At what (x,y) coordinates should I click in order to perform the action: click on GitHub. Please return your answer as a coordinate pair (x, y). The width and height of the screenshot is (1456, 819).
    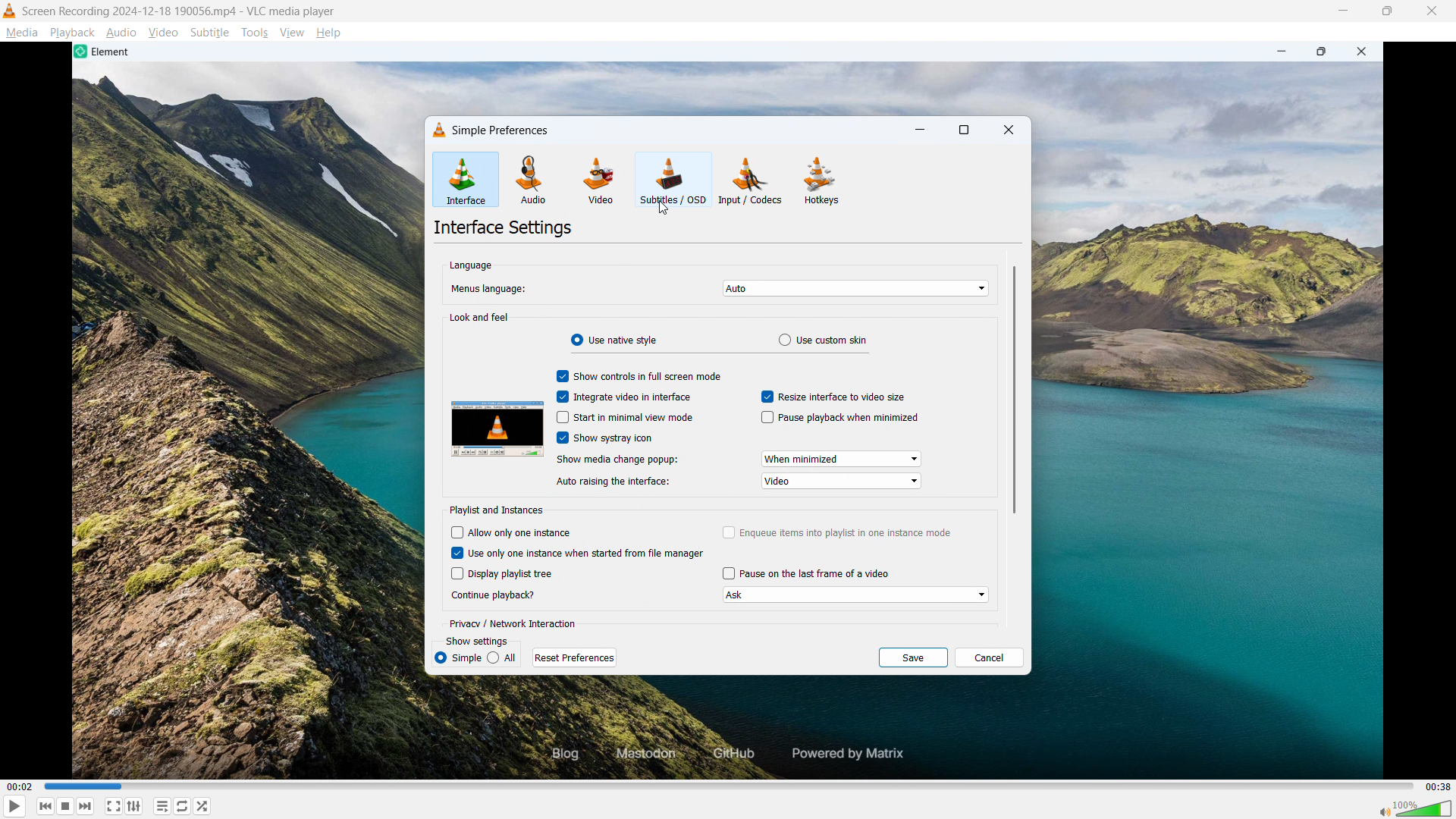
    Looking at the image, I should click on (730, 755).